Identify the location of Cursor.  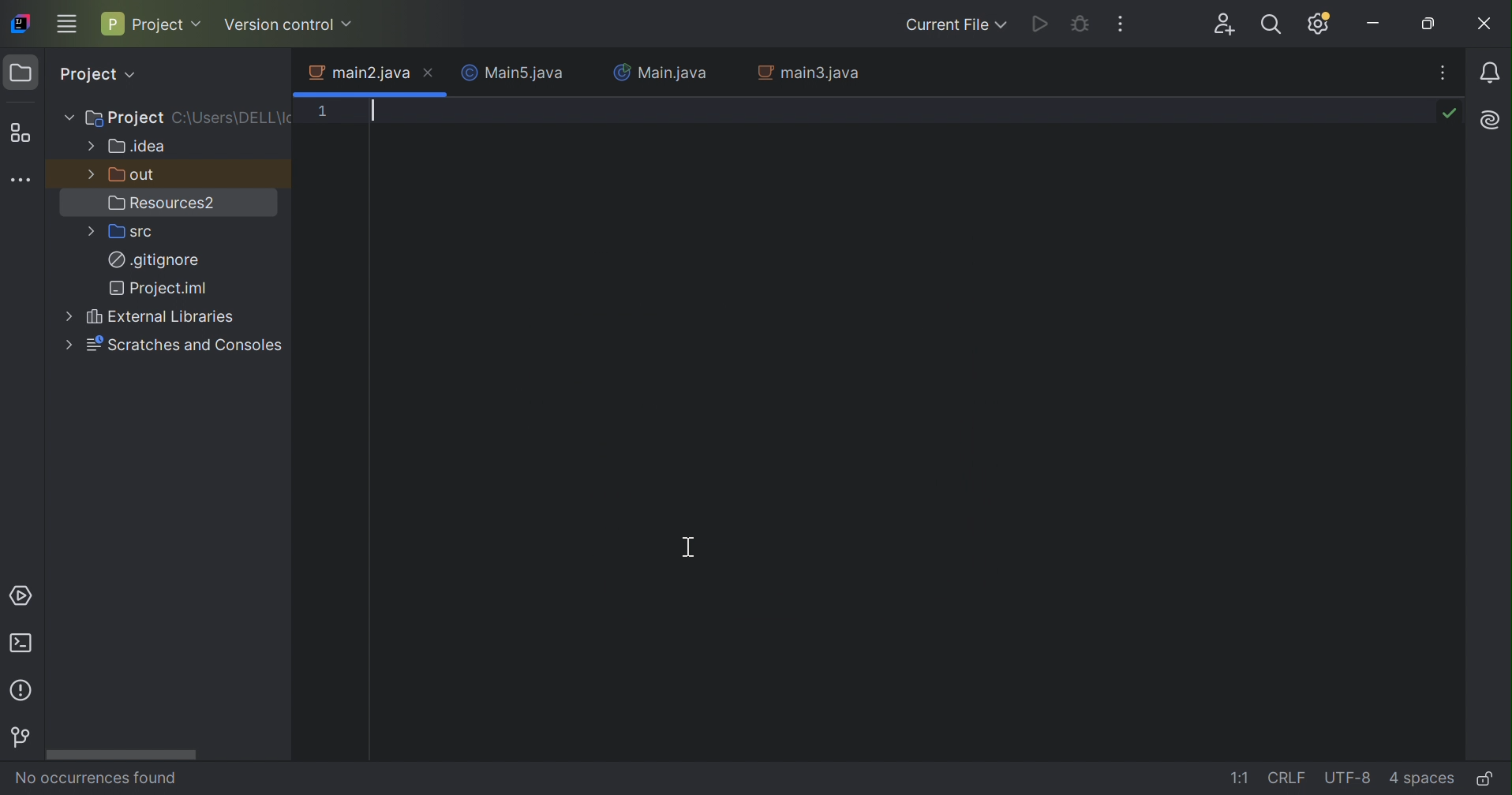
(689, 547).